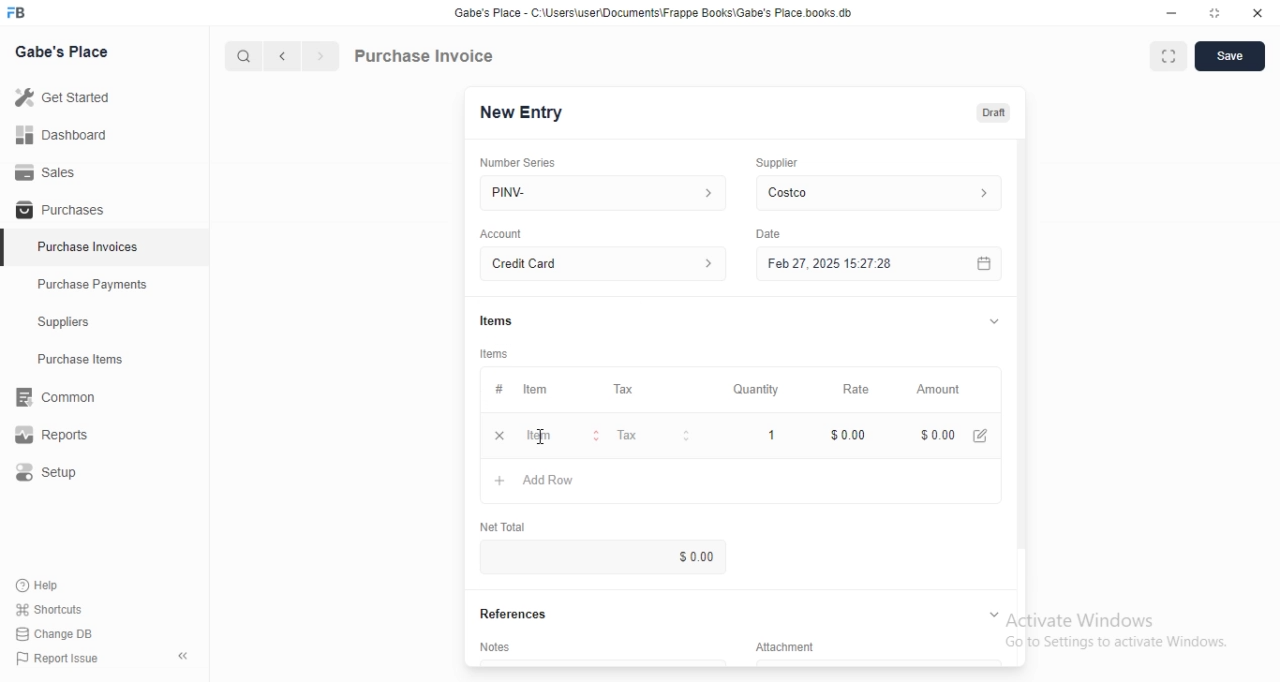 The image size is (1280, 682). Describe the element at coordinates (653, 12) in the screenshot. I see `‘Gabe's Place - C\Users\useriDocuments\Frappe Books\Gabe's Place books db.` at that location.